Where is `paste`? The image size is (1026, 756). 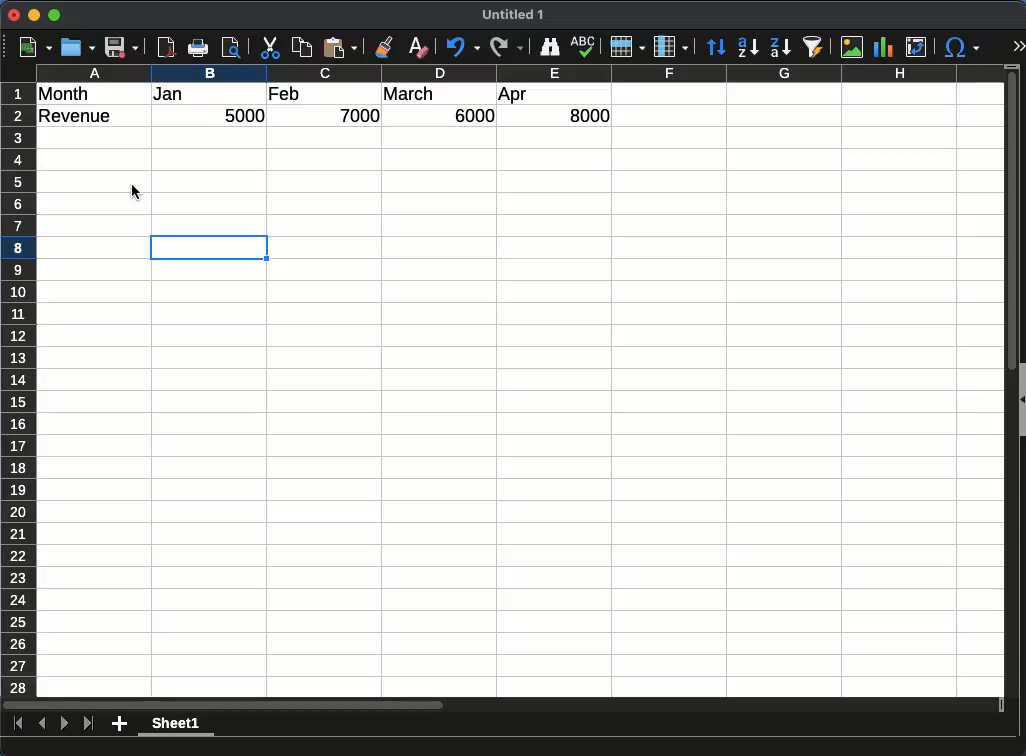 paste is located at coordinates (340, 47).